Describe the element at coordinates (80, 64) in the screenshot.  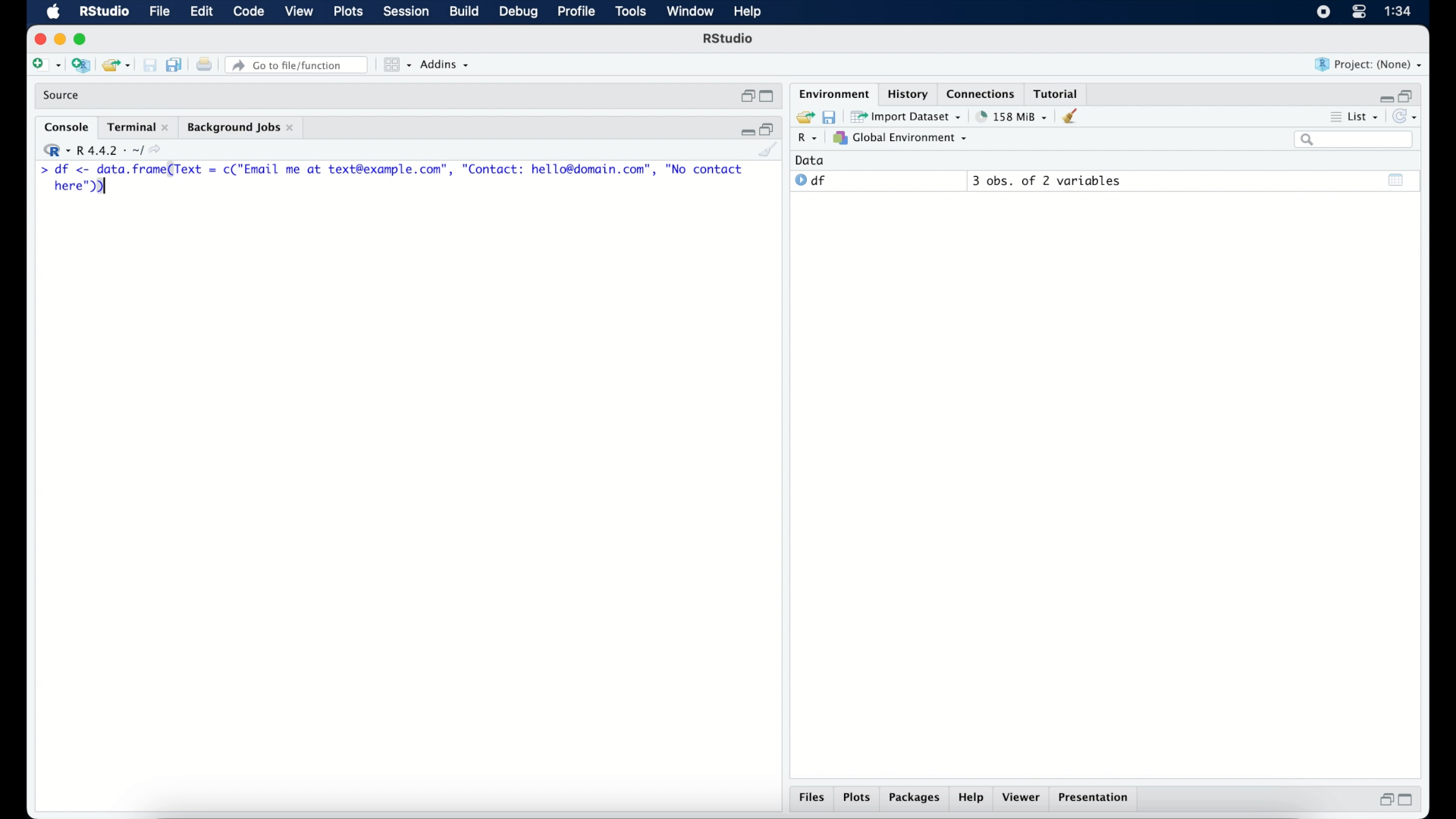
I see `create new project` at that location.